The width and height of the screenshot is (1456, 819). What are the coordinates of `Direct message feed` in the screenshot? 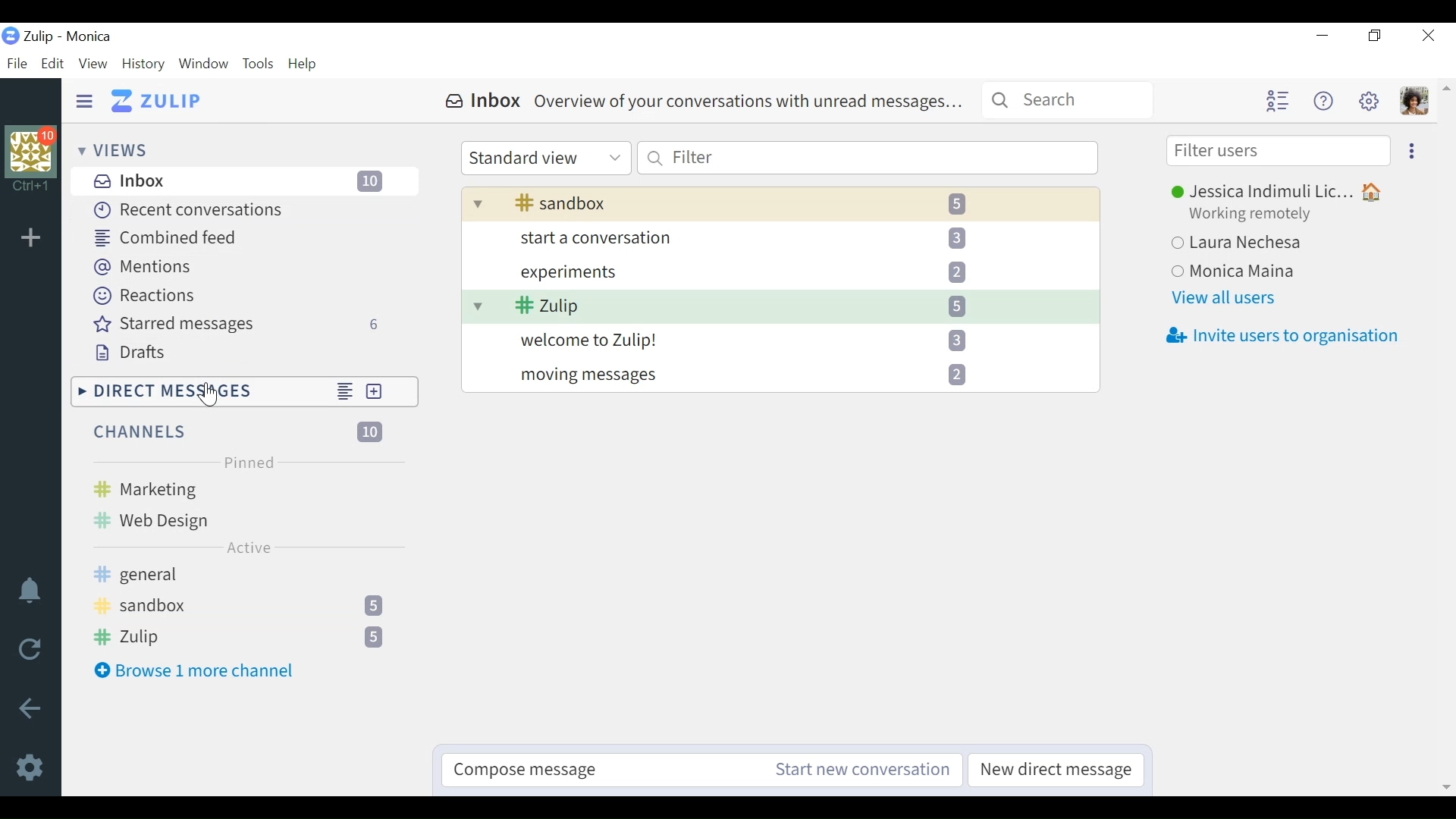 It's located at (344, 391).